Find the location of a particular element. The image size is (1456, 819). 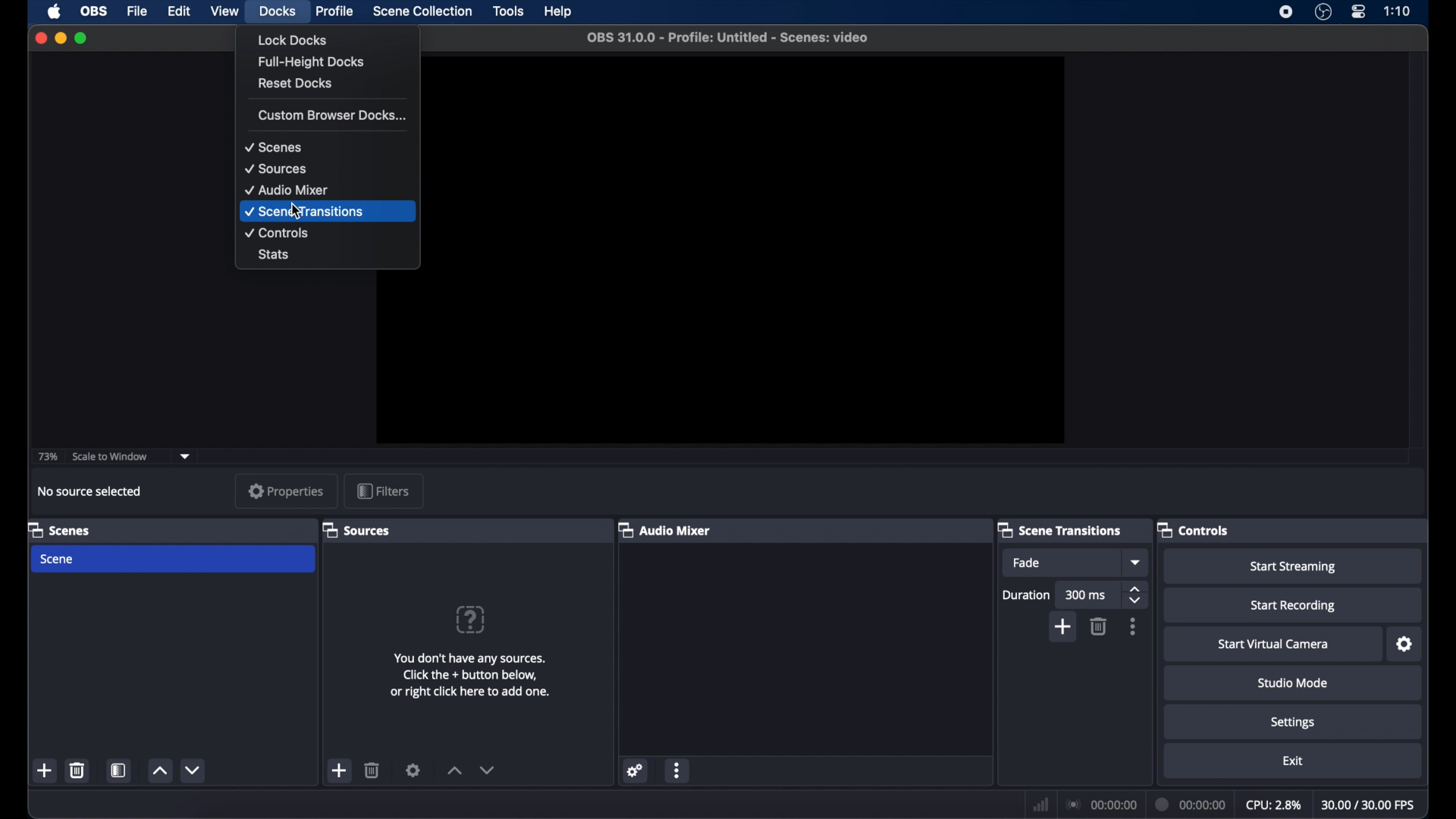

stats is located at coordinates (275, 256).